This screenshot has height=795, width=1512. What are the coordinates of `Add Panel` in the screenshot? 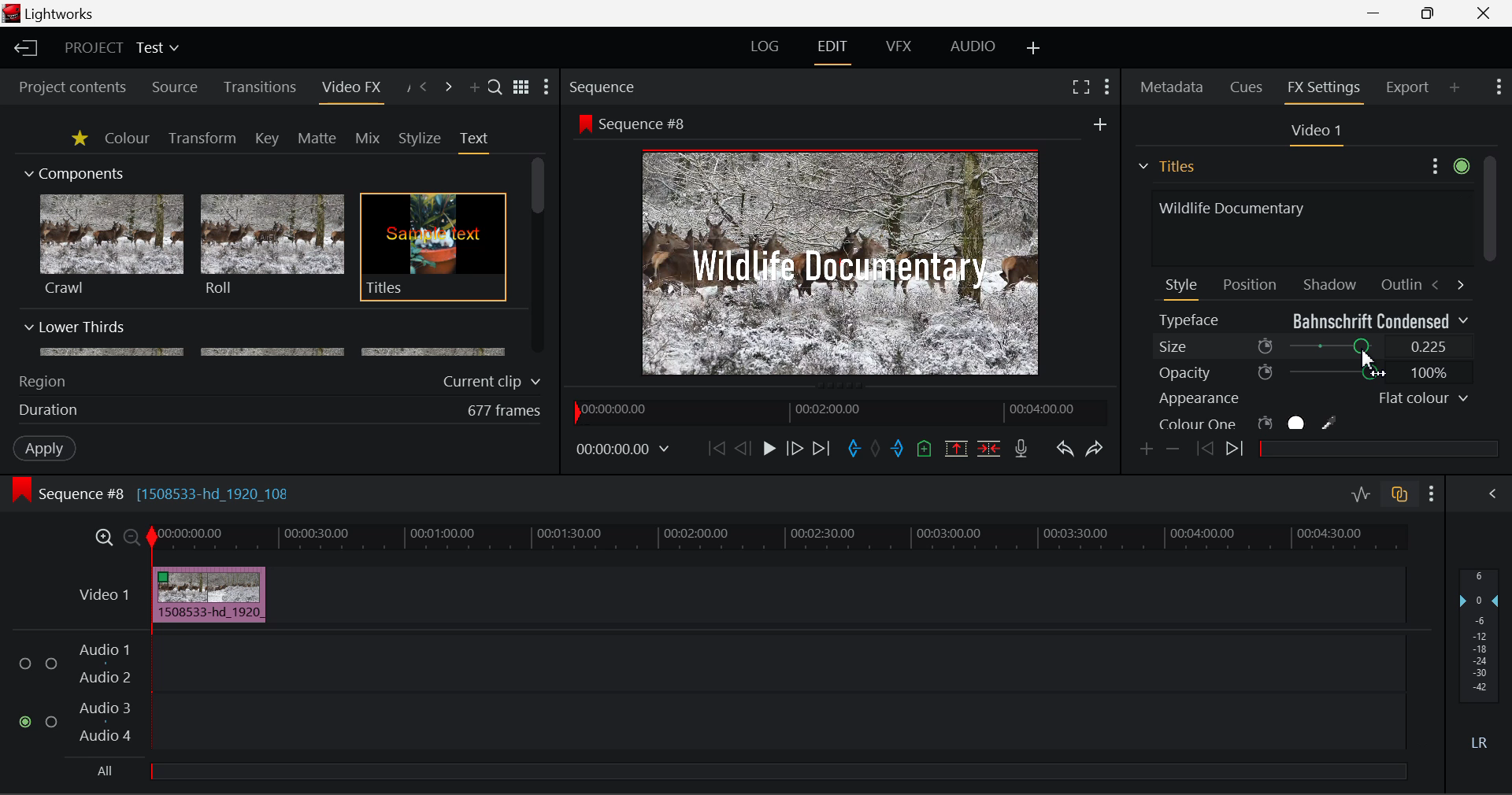 It's located at (1455, 87).